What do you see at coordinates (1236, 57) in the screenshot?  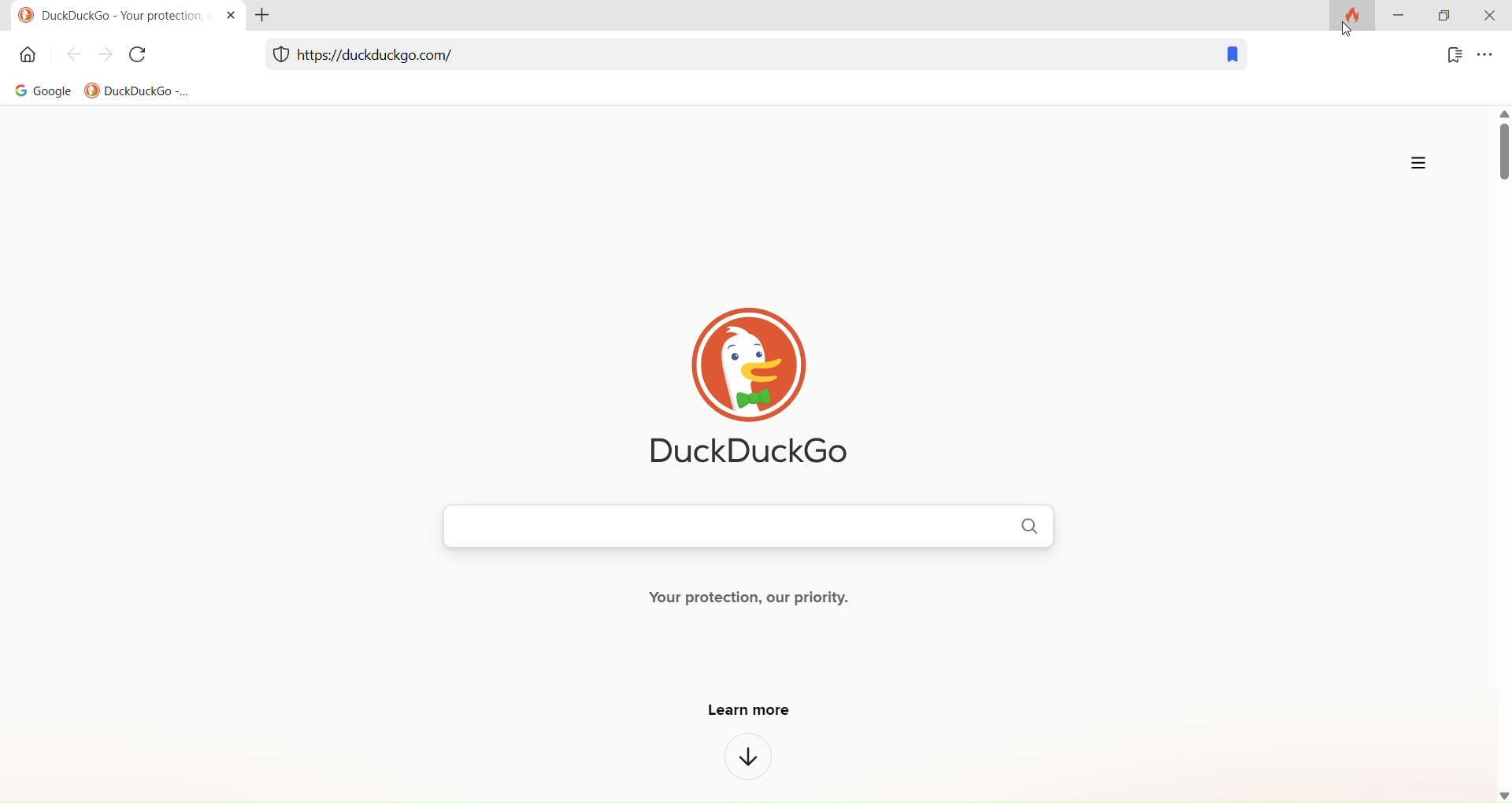 I see `bookmark` at bounding box center [1236, 57].